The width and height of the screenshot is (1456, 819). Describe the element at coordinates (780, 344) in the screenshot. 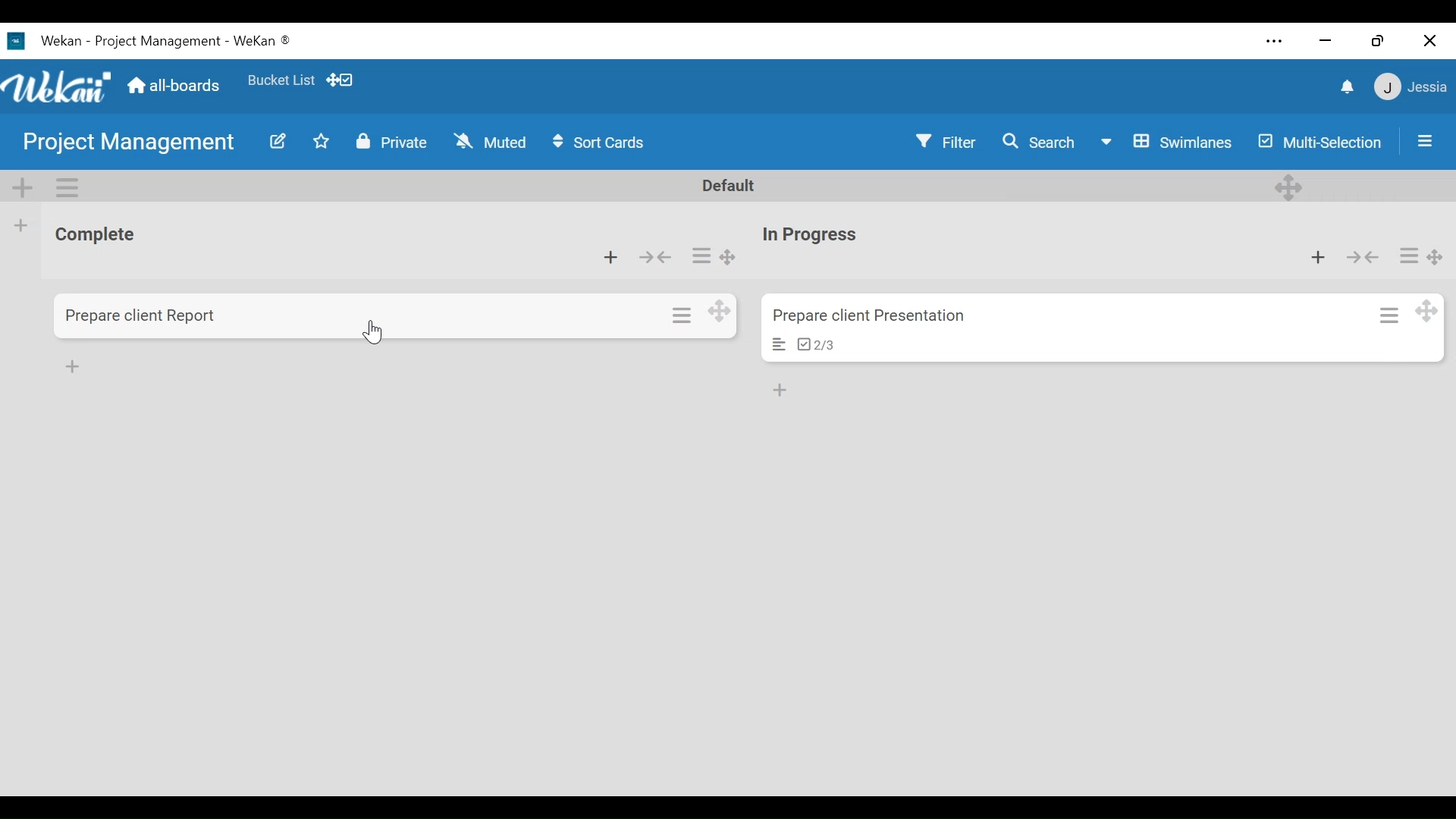

I see `Card Description` at that location.